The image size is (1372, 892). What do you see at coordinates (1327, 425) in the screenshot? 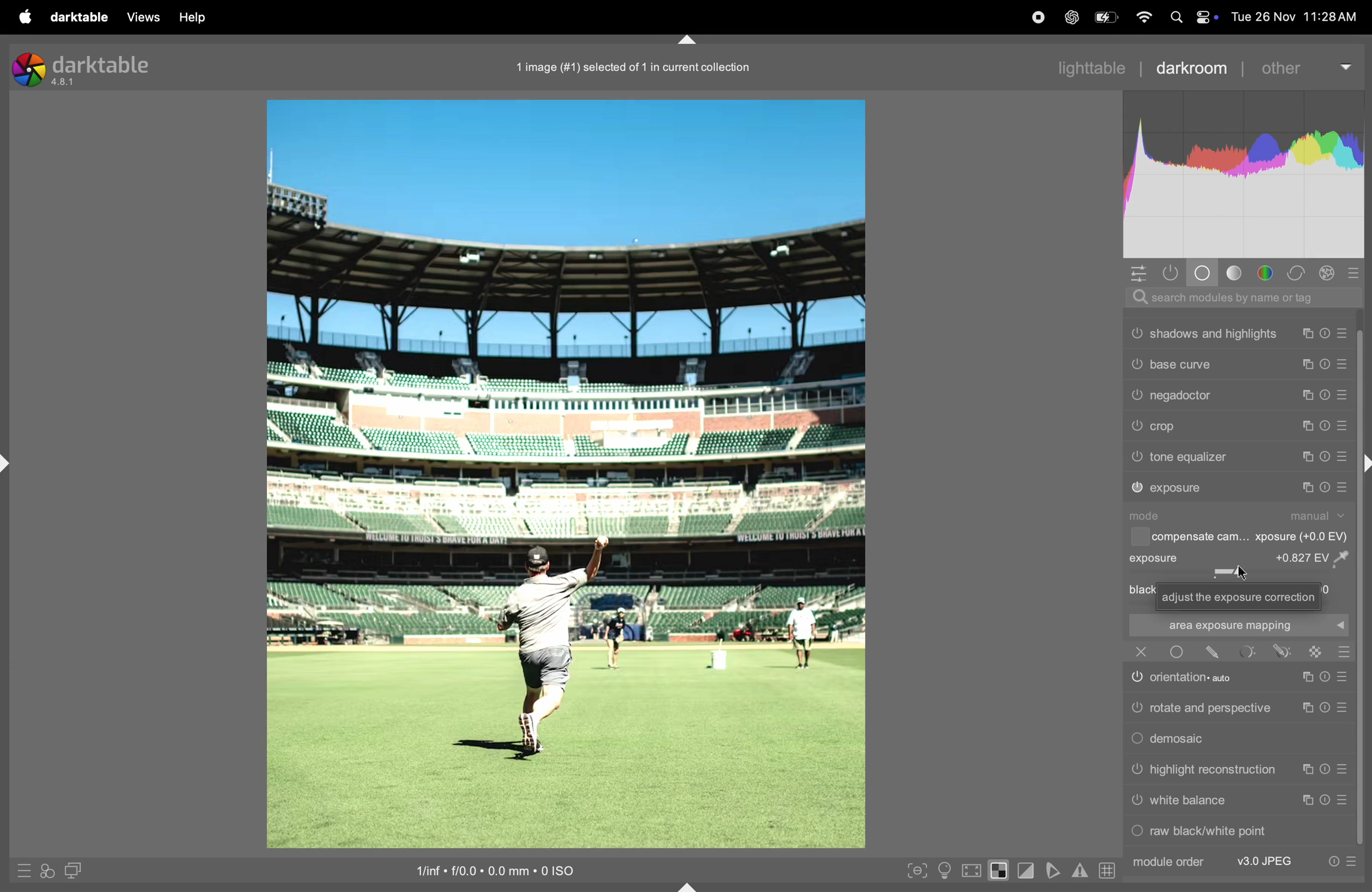
I see `reset presets` at bounding box center [1327, 425].